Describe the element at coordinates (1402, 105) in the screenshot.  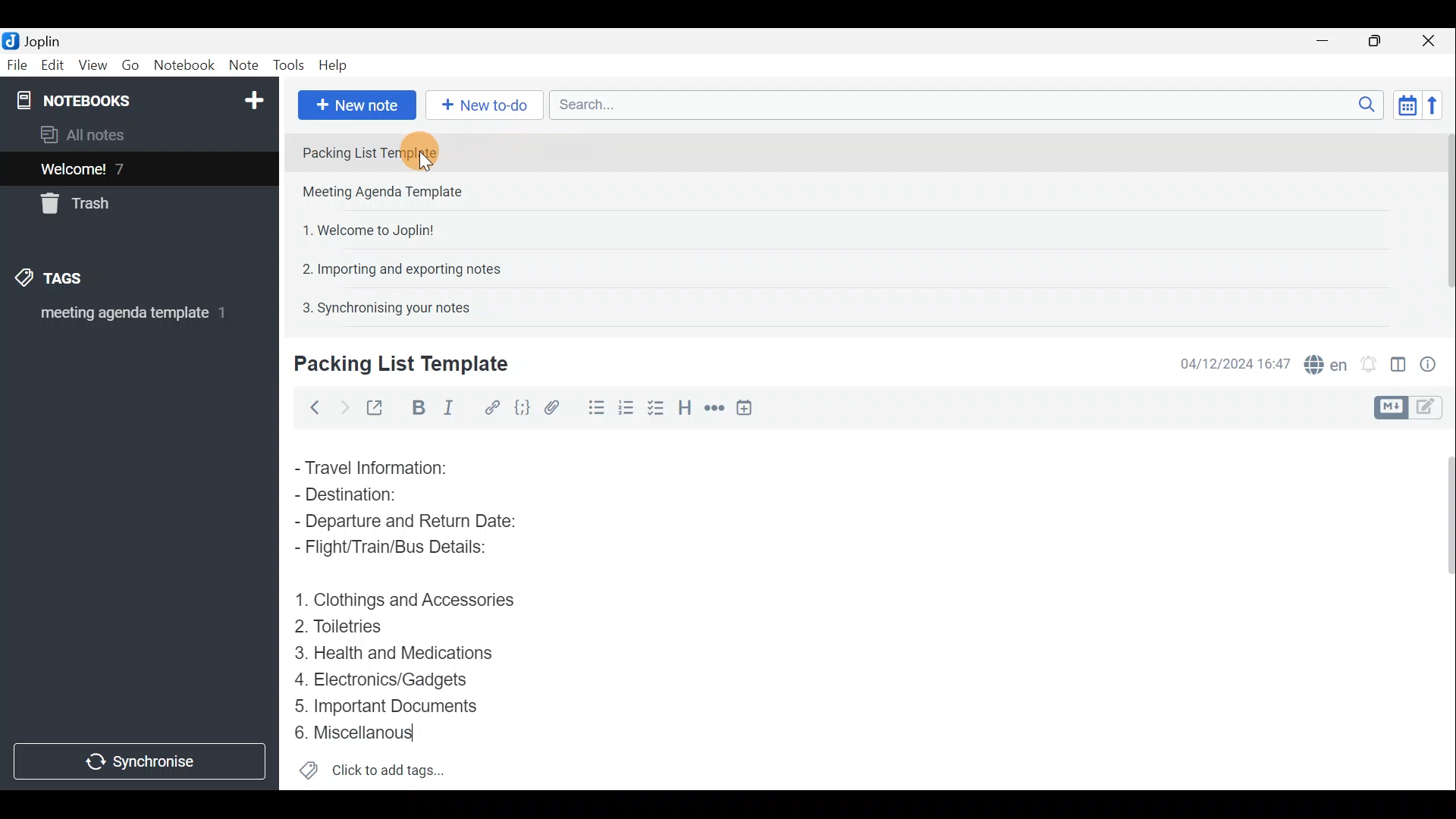
I see `Toggle sort order field` at that location.